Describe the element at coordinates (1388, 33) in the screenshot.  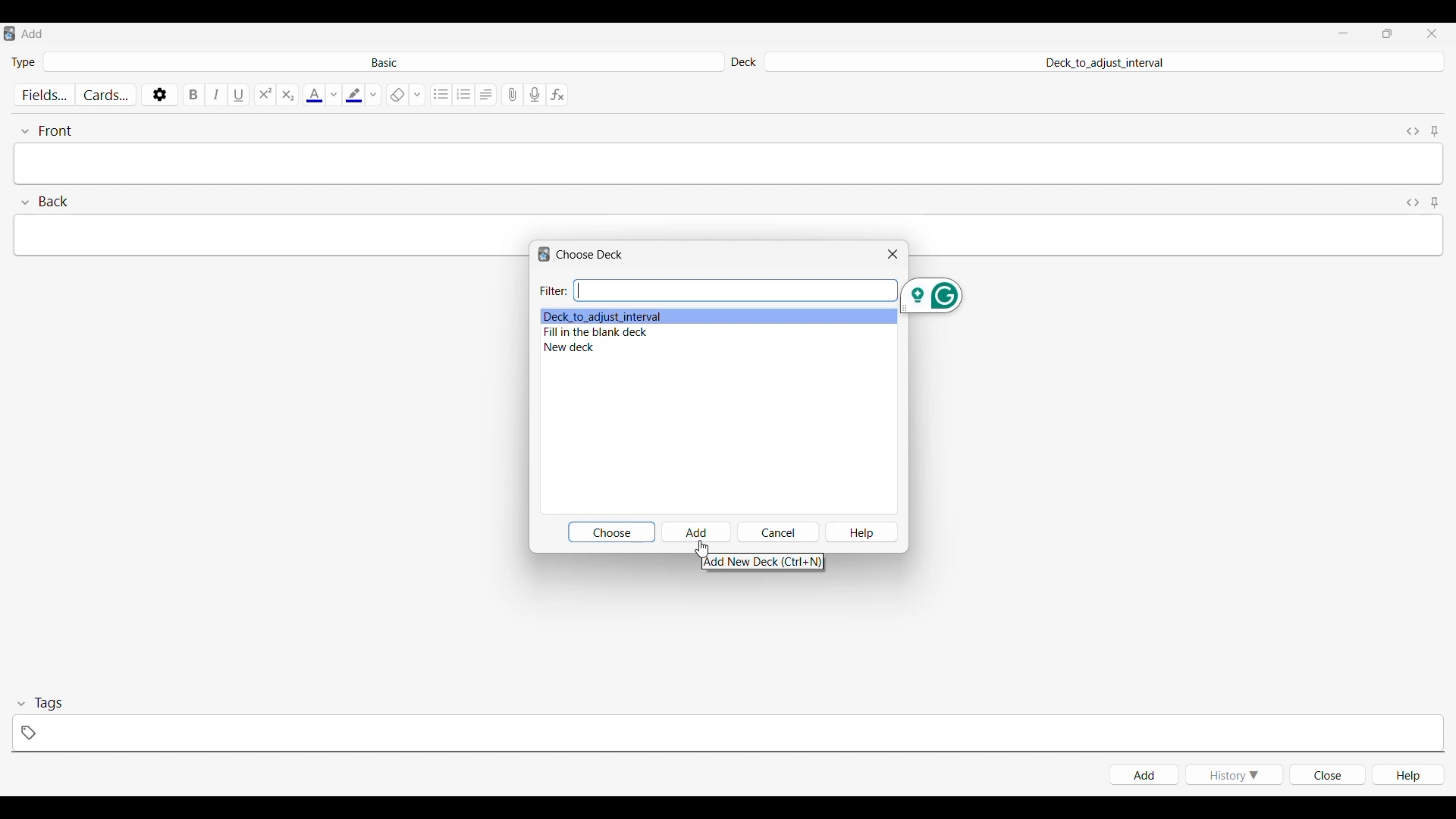
I see `Show interface in smaller tab` at that location.